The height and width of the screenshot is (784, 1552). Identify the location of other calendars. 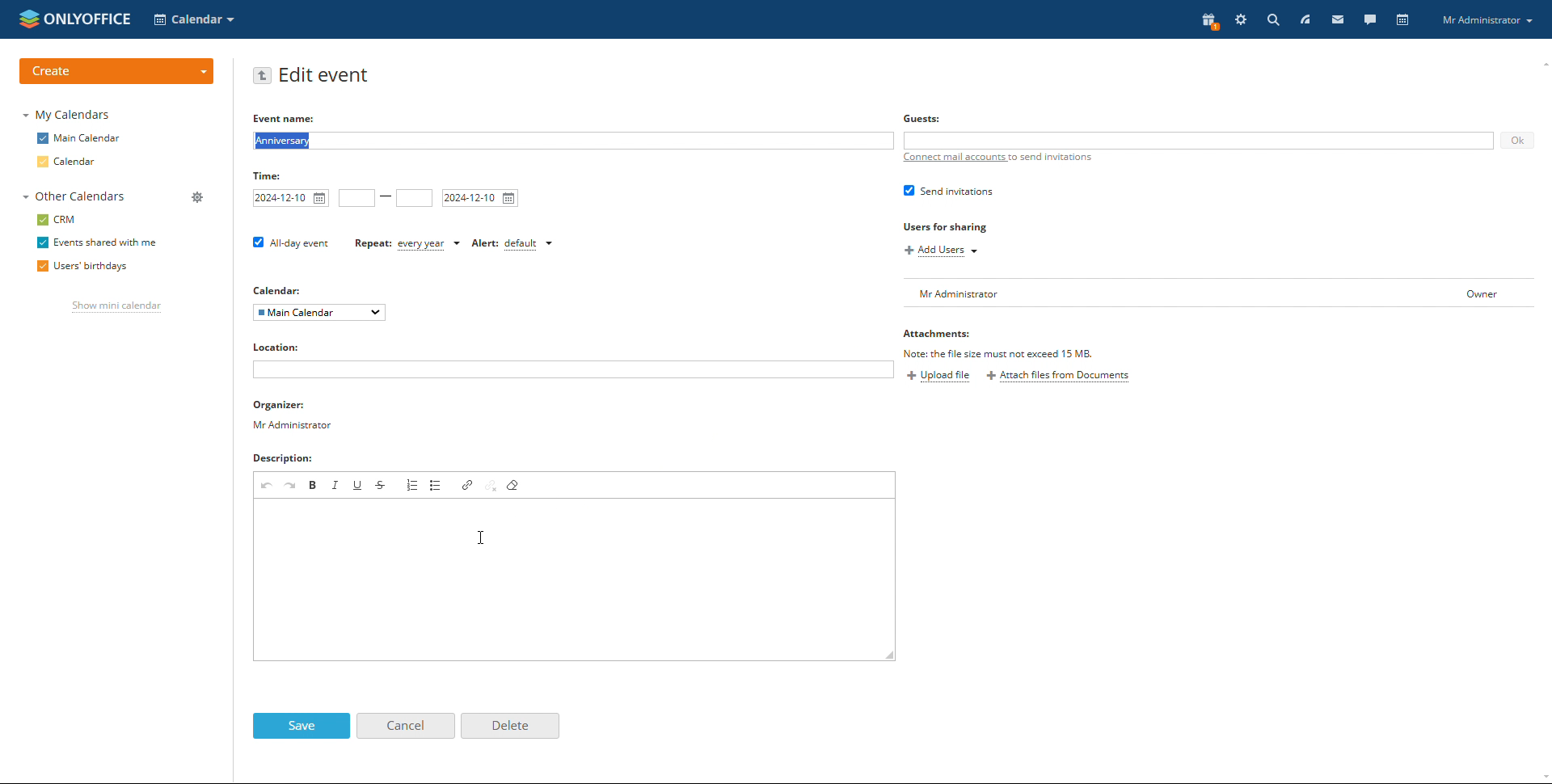
(72, 197).